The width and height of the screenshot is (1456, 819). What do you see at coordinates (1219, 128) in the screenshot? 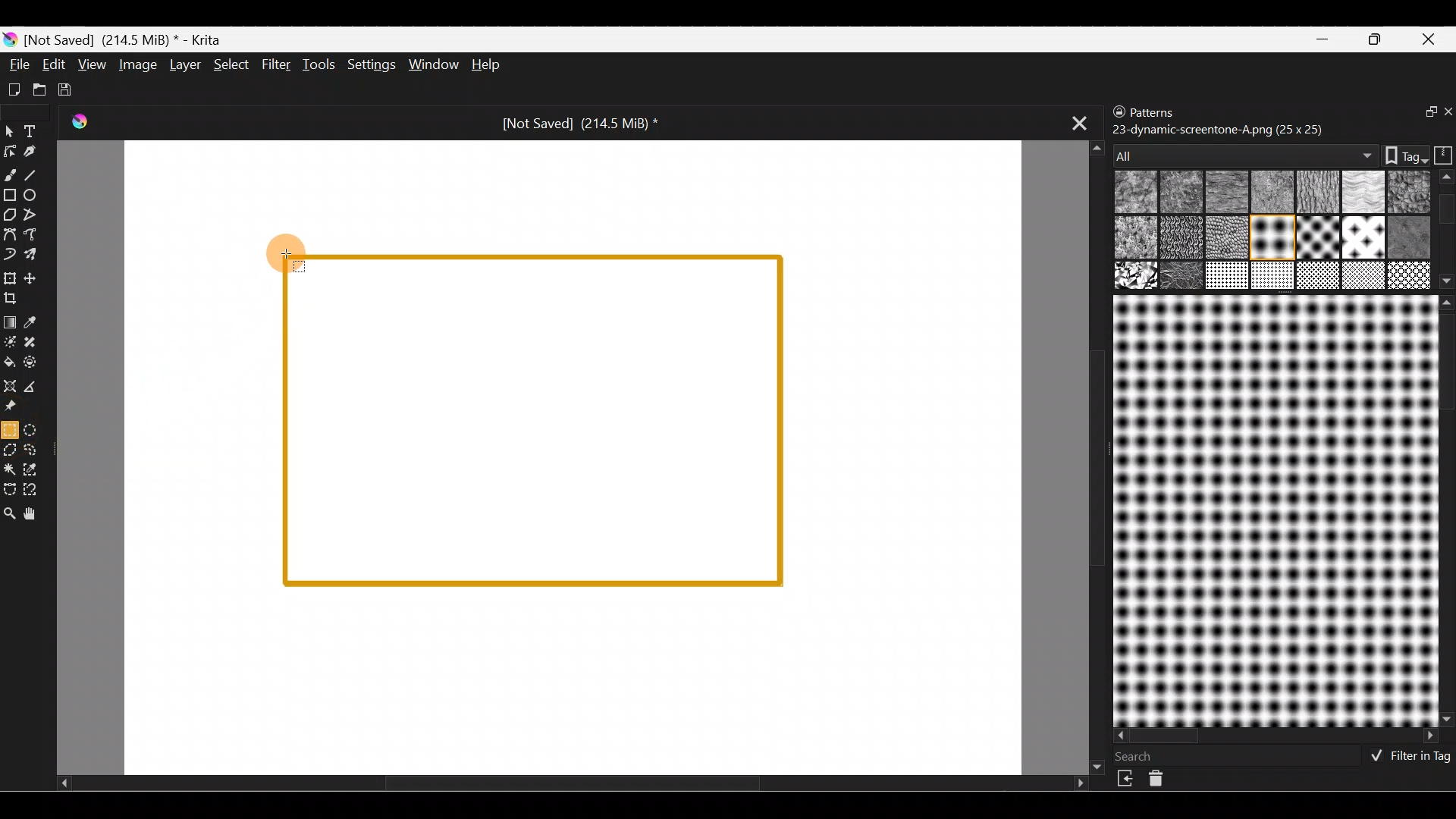
I see `23-dynamic-screentone-A.png (25 x 25)` at bounding box center [1219, 128].